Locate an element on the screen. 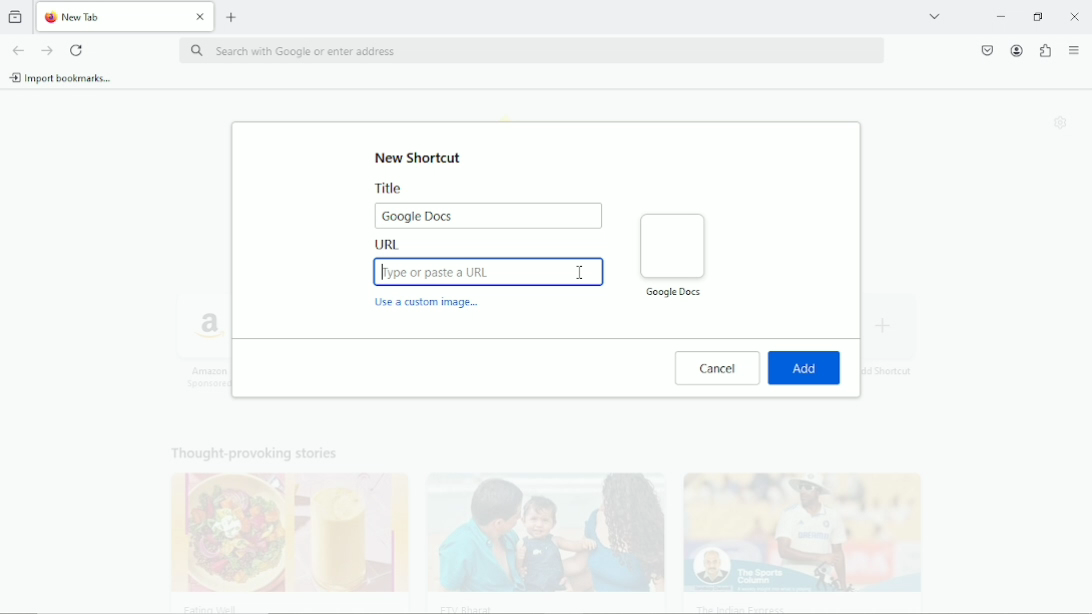 This screenshot has width=1092, height=614. cancel is located at coordinates (717, 368).